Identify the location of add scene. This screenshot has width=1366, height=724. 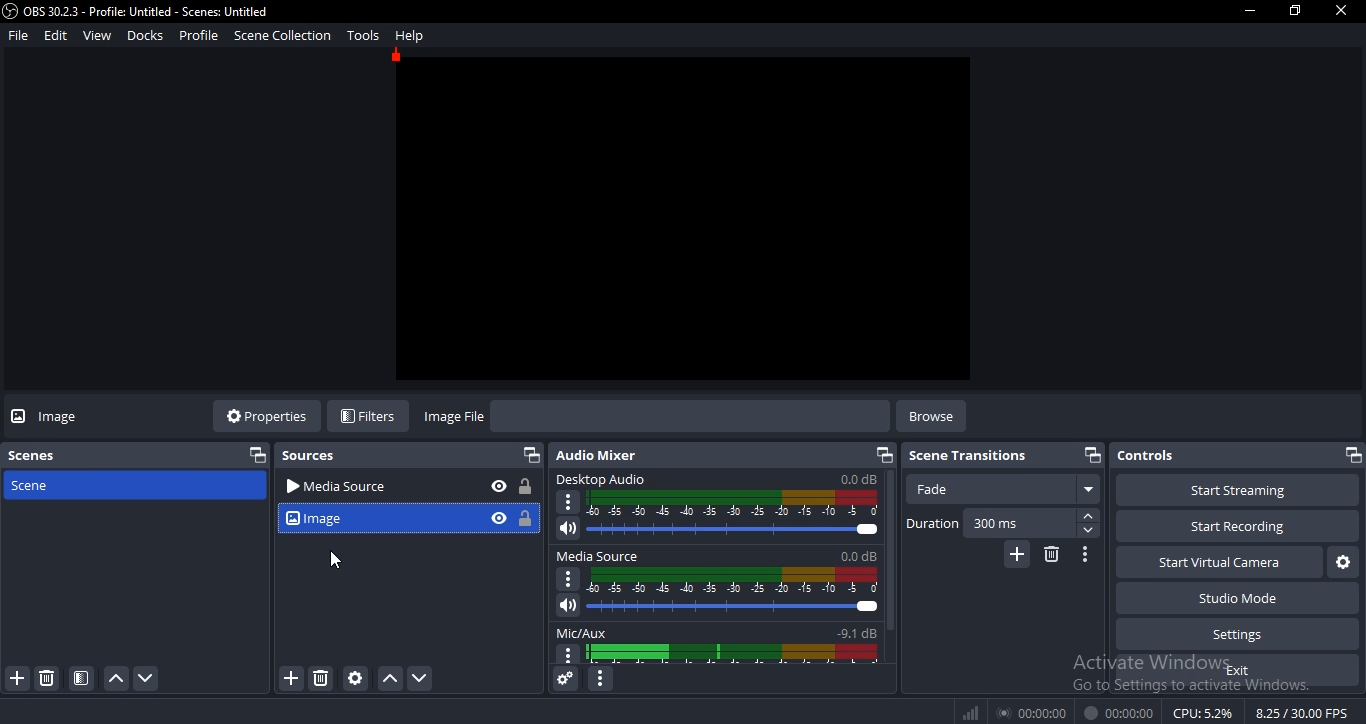
(15, 677).